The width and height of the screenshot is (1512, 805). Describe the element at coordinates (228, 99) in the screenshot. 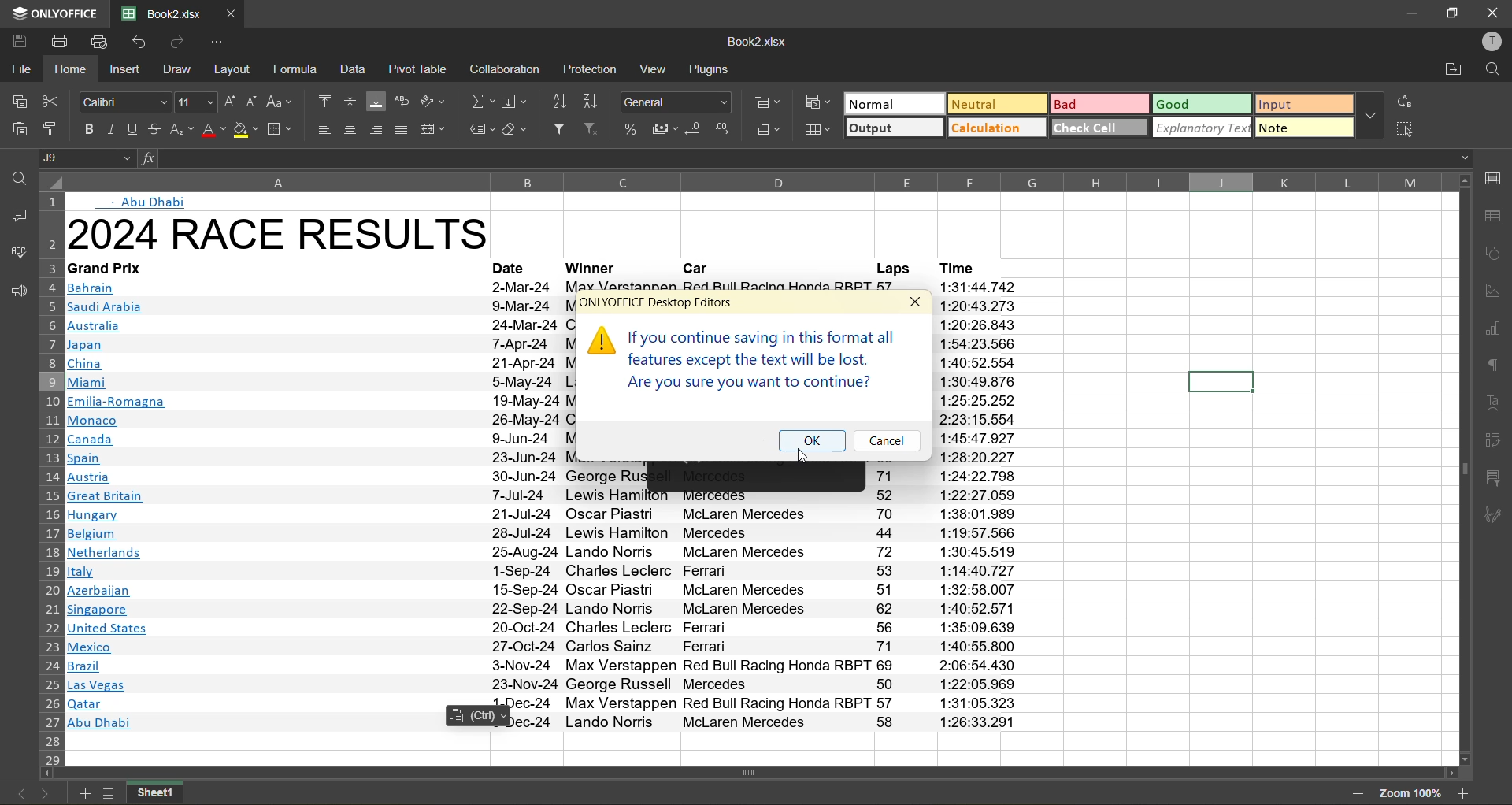

I see `increment size` at that location.